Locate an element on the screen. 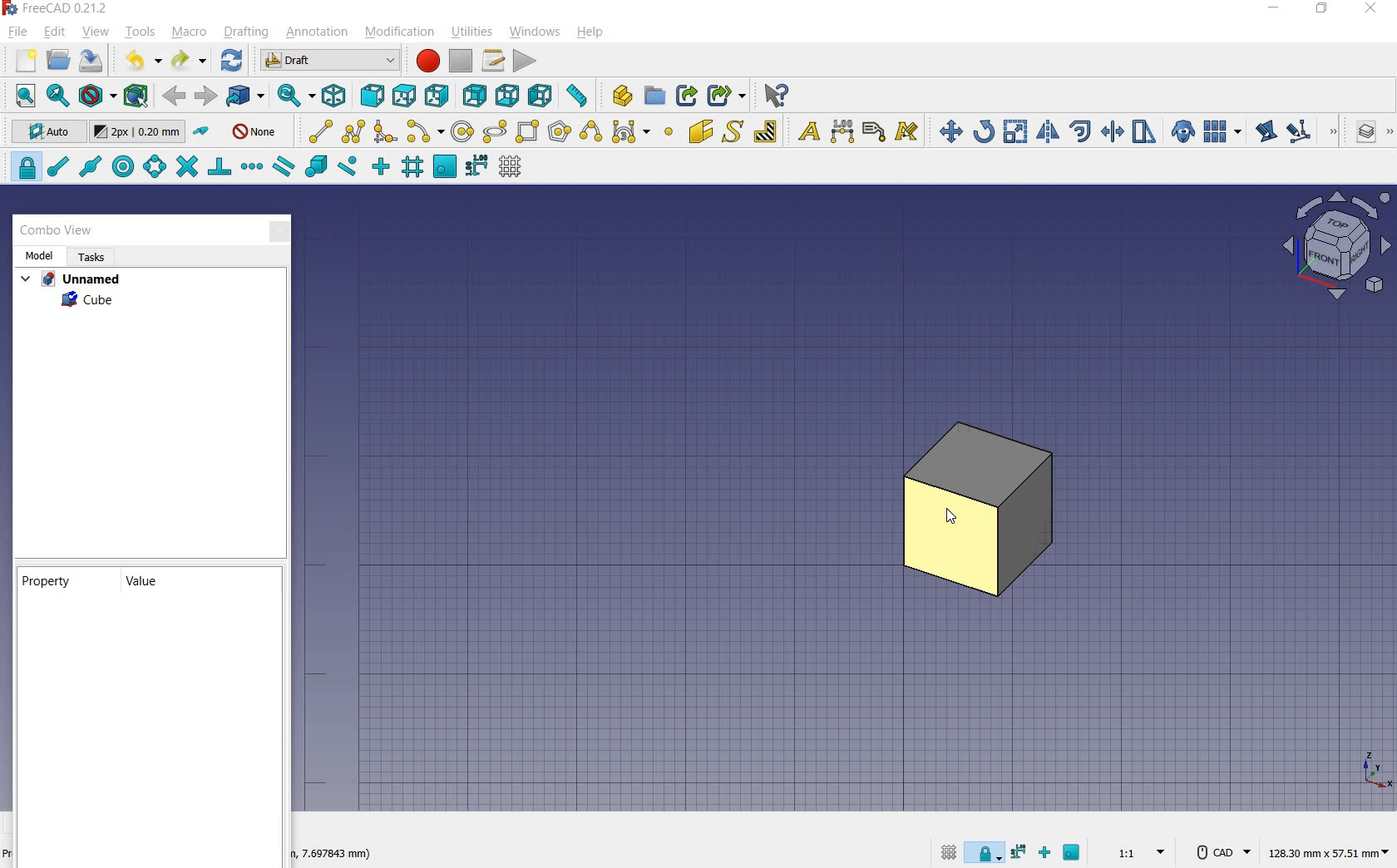 Image resolution: width=1397 pixels, height=868 pixels. arc tools is located at coordinates (425, 131).